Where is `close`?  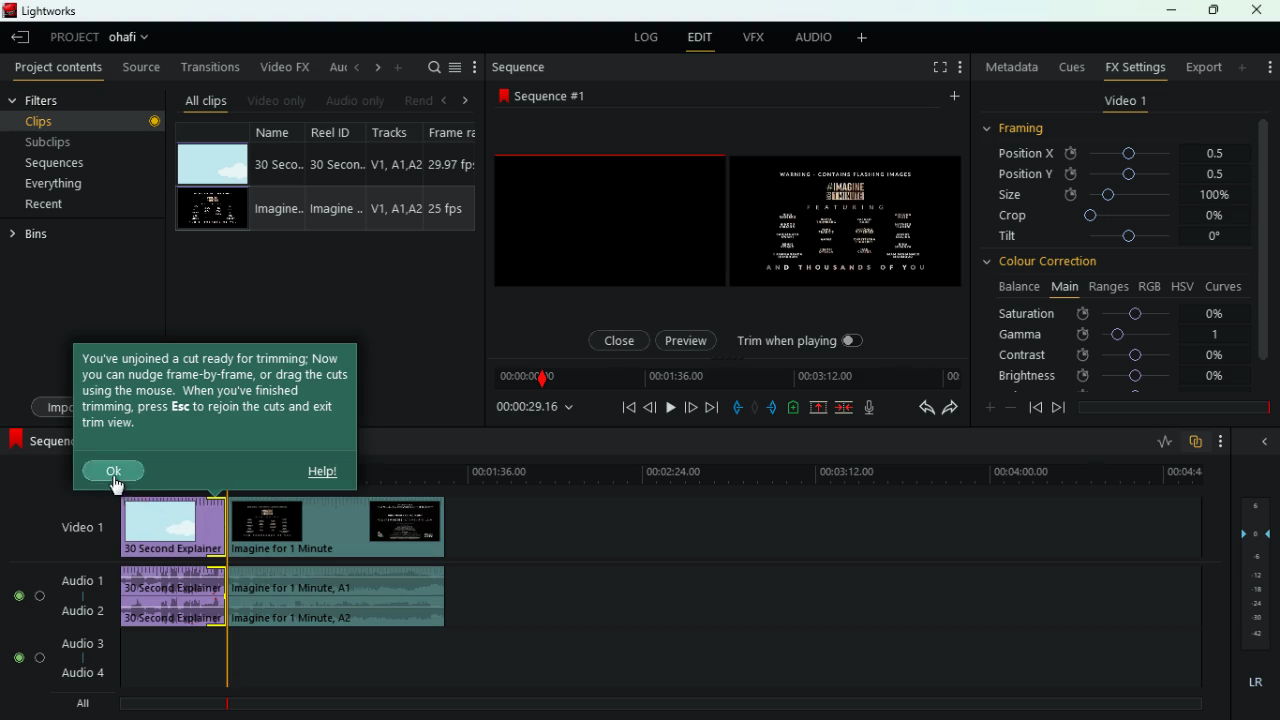
close is located at coordinates (1258, 10).